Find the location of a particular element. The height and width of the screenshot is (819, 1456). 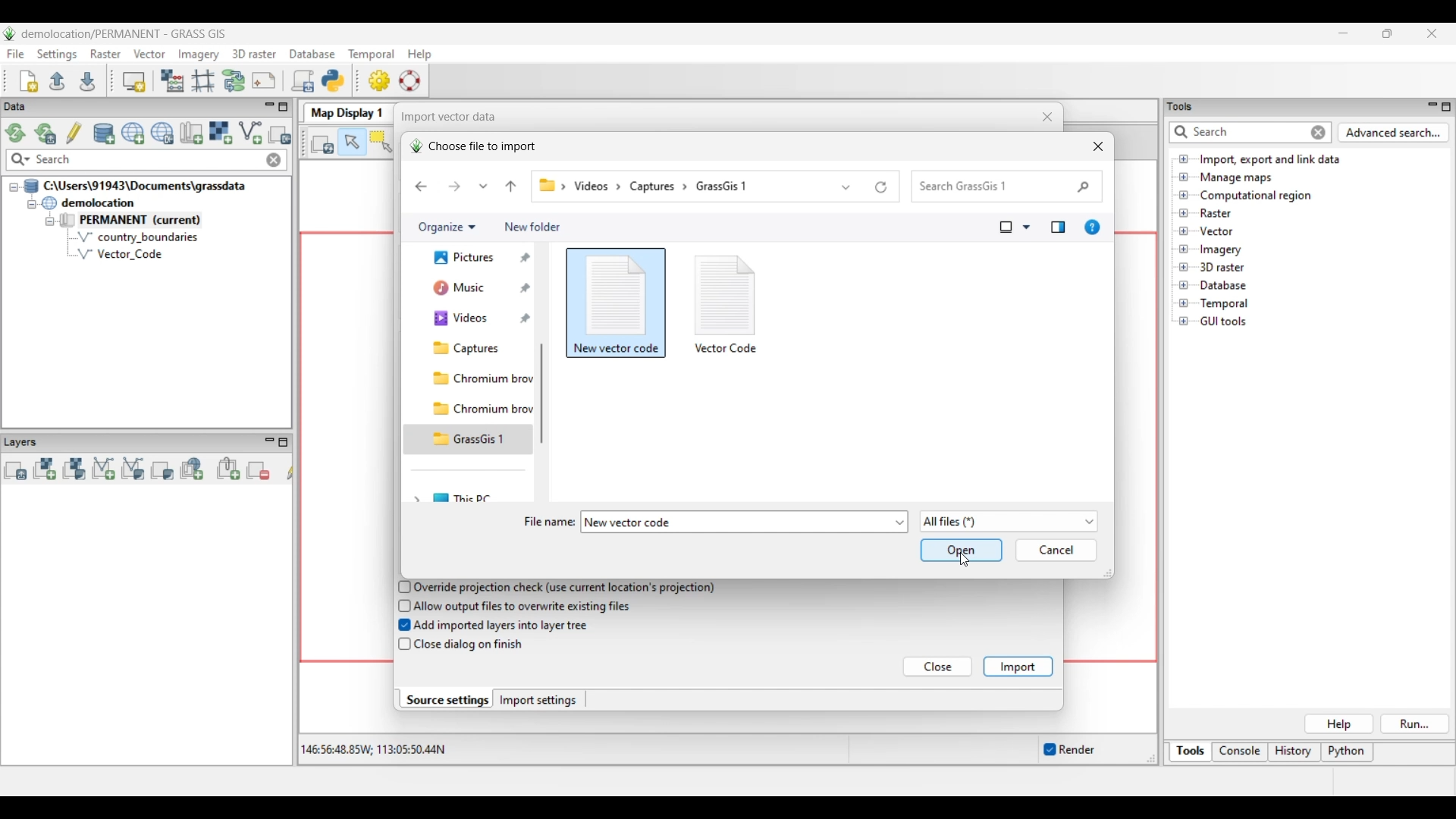

Add multiple vector or raster map layers is located at coordinates (15, 470).